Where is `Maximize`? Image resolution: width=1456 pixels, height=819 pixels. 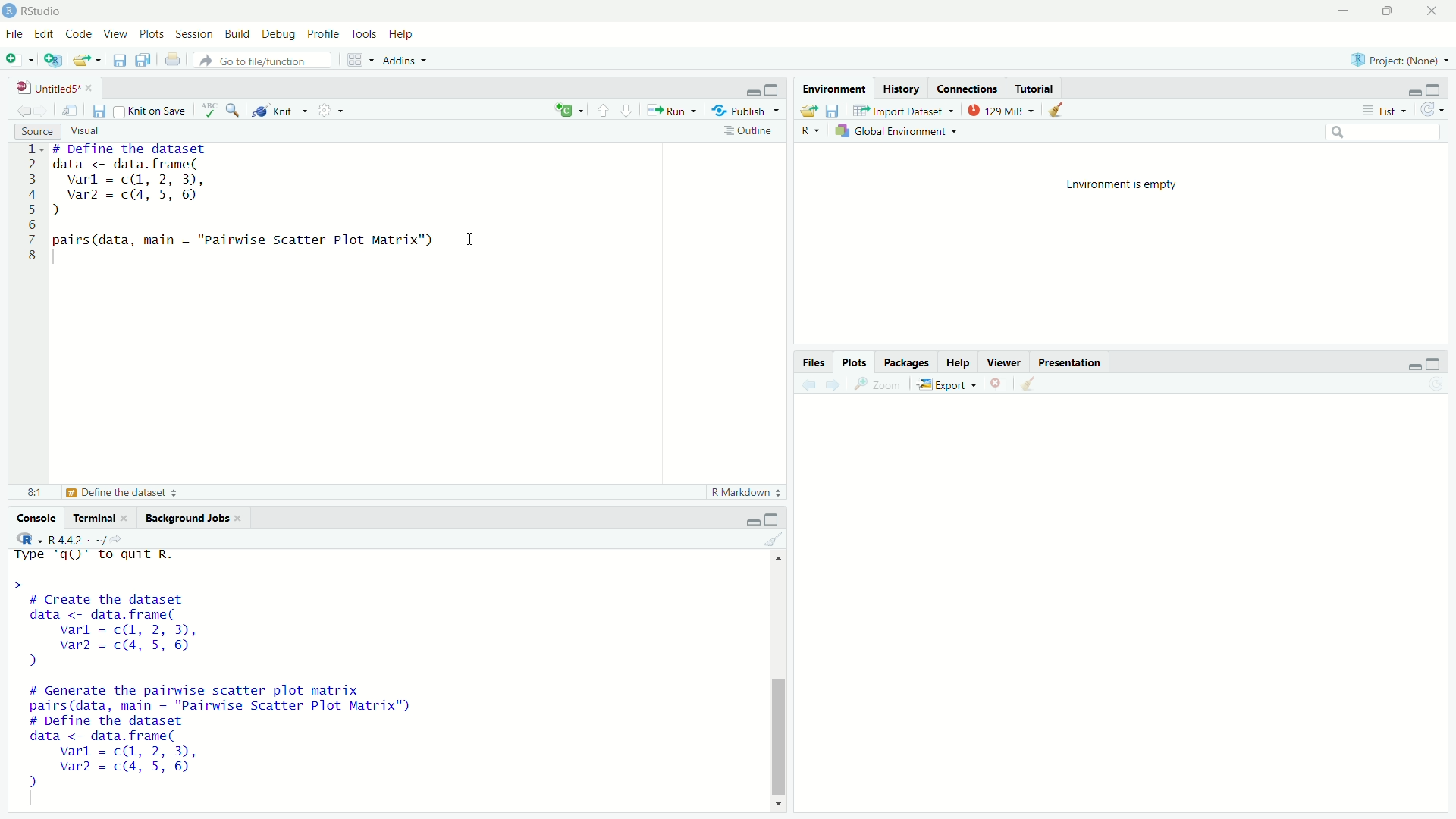 Maximize is located at coordinates (772, 89).